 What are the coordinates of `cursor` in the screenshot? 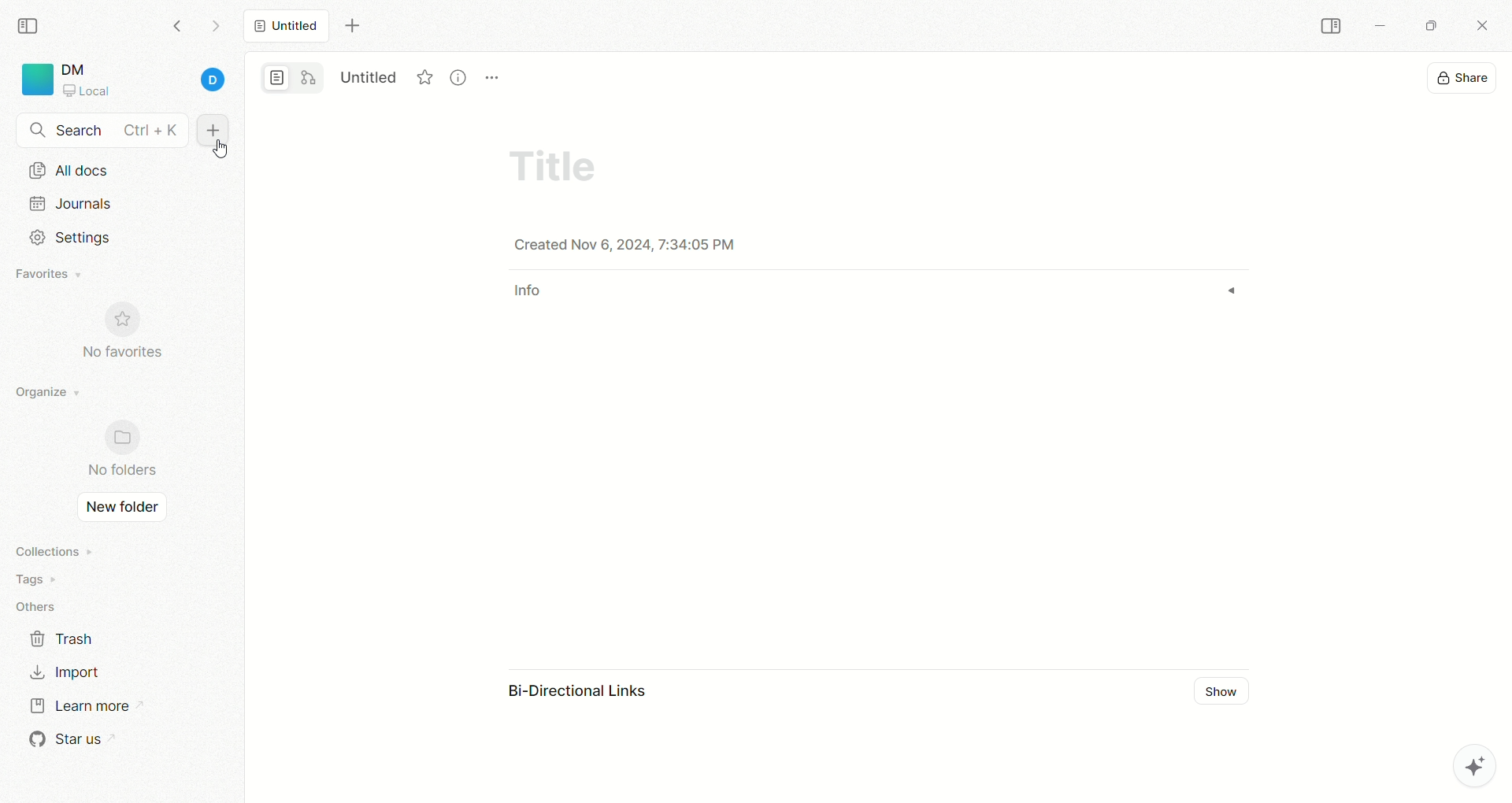 It's located at (220, 149).